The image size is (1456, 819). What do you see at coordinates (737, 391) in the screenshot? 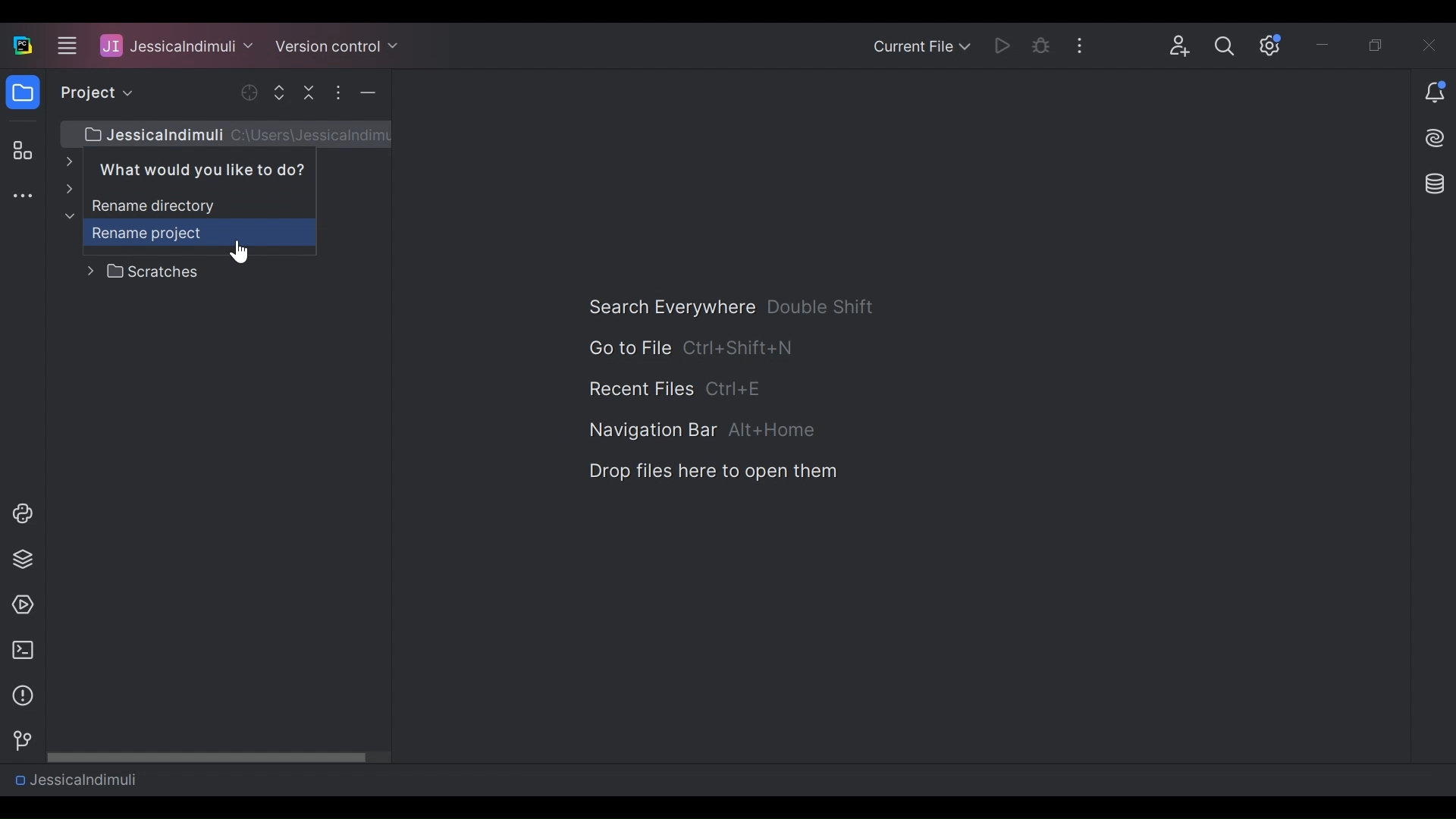
I see `shortcut` at bounding box center [737, 391].